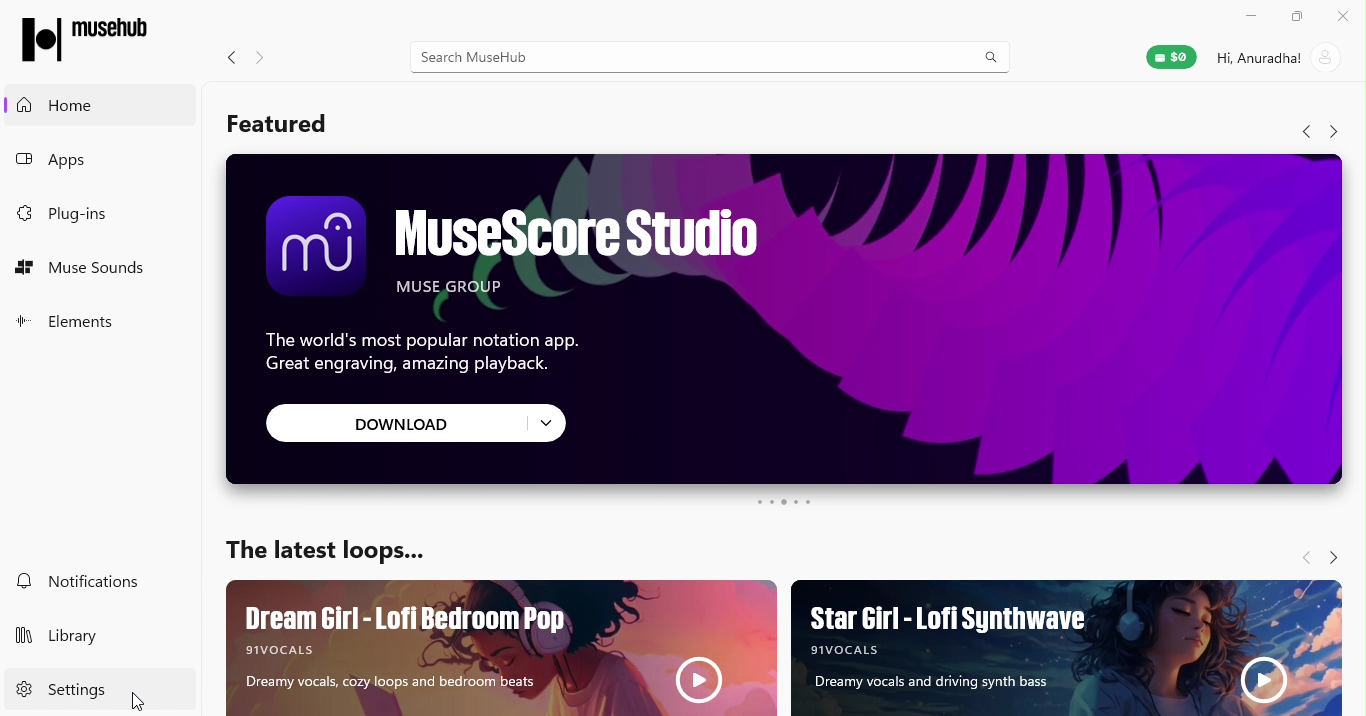 The width and height of the screenshot is (1366, 716). What do you see at coordinates (783, 505) in the screenshot?
I see `dots` at bounding box center [783, 505].